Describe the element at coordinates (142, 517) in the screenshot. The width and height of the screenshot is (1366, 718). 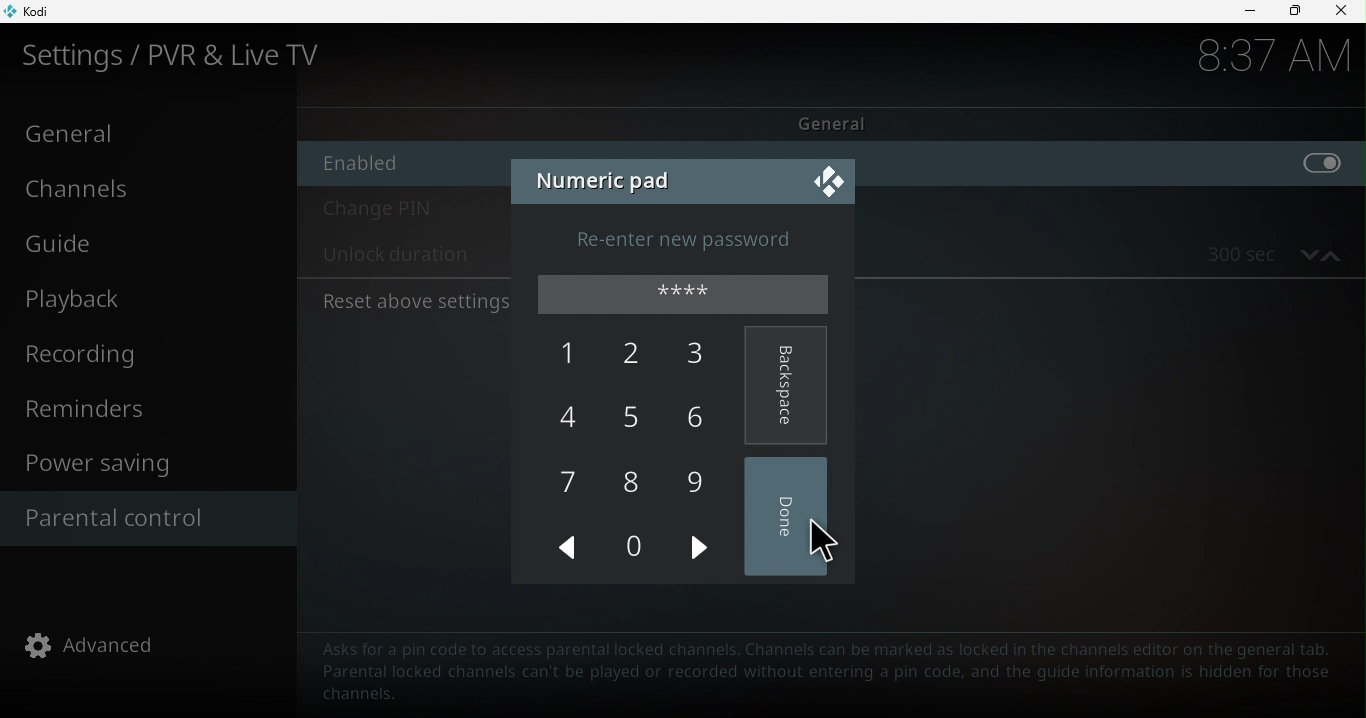
I see `Parental control` at that location.